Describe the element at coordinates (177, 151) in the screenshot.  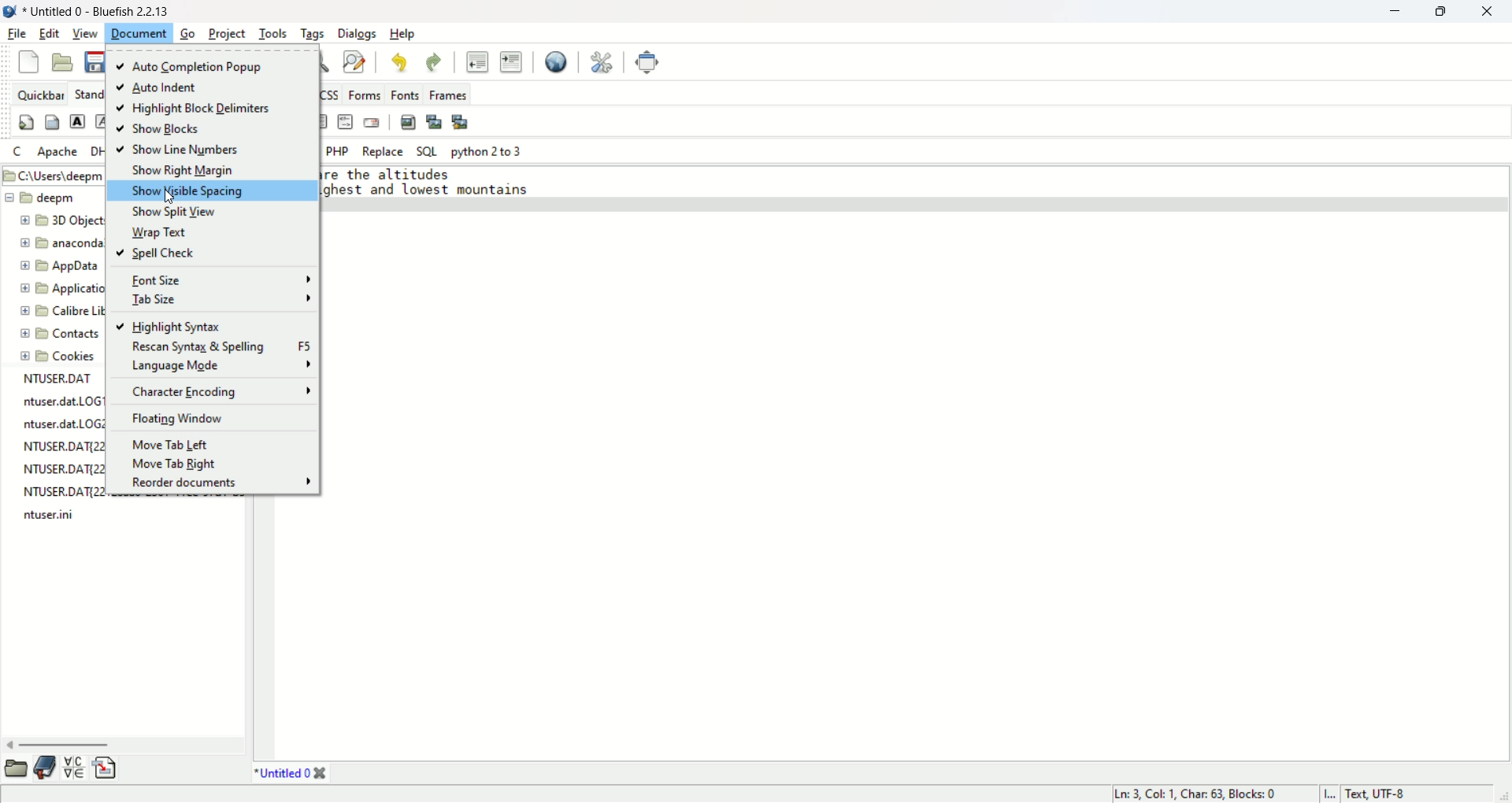
I see `show line numbers` at that location.